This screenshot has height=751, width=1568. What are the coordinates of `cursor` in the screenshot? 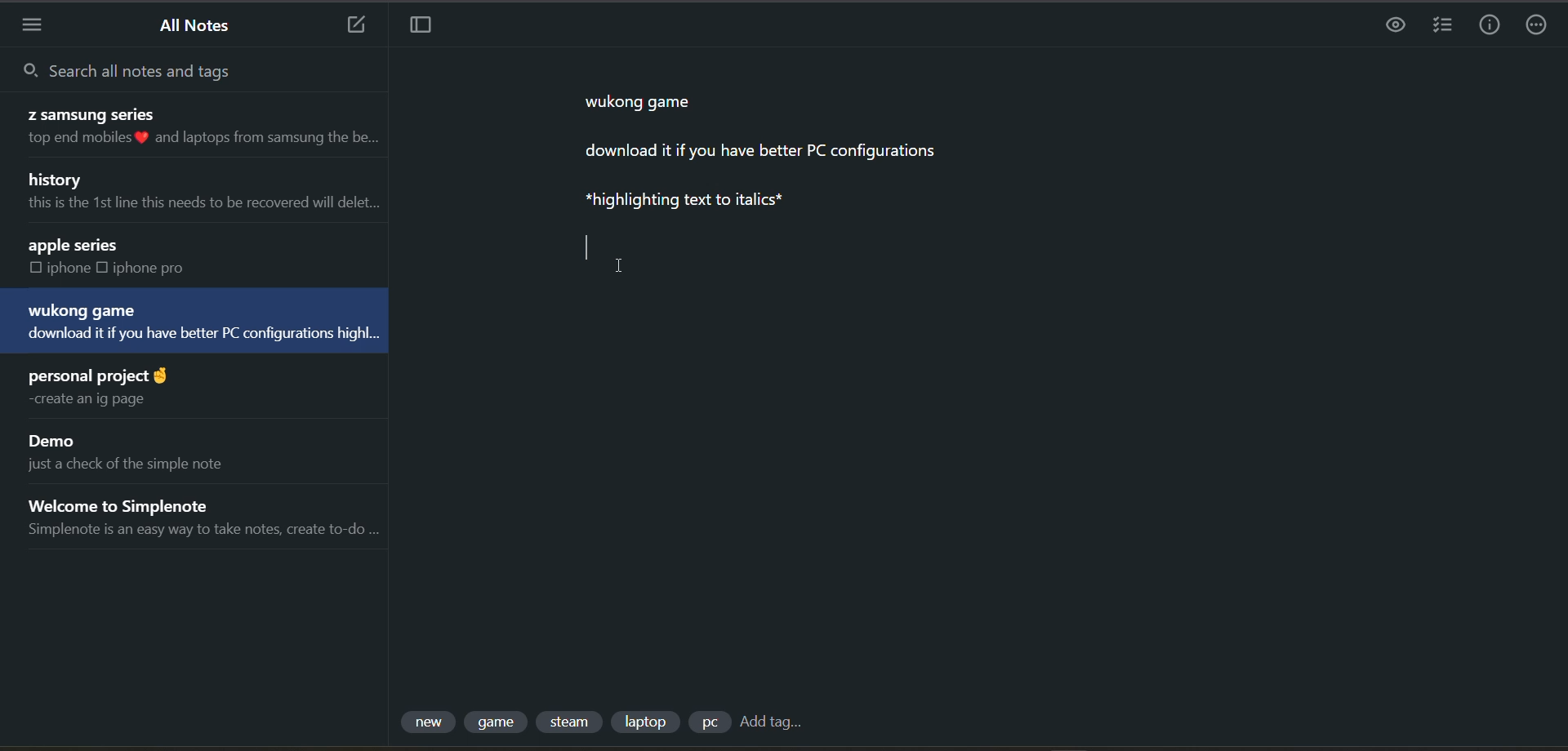 It's located at (620, 268).